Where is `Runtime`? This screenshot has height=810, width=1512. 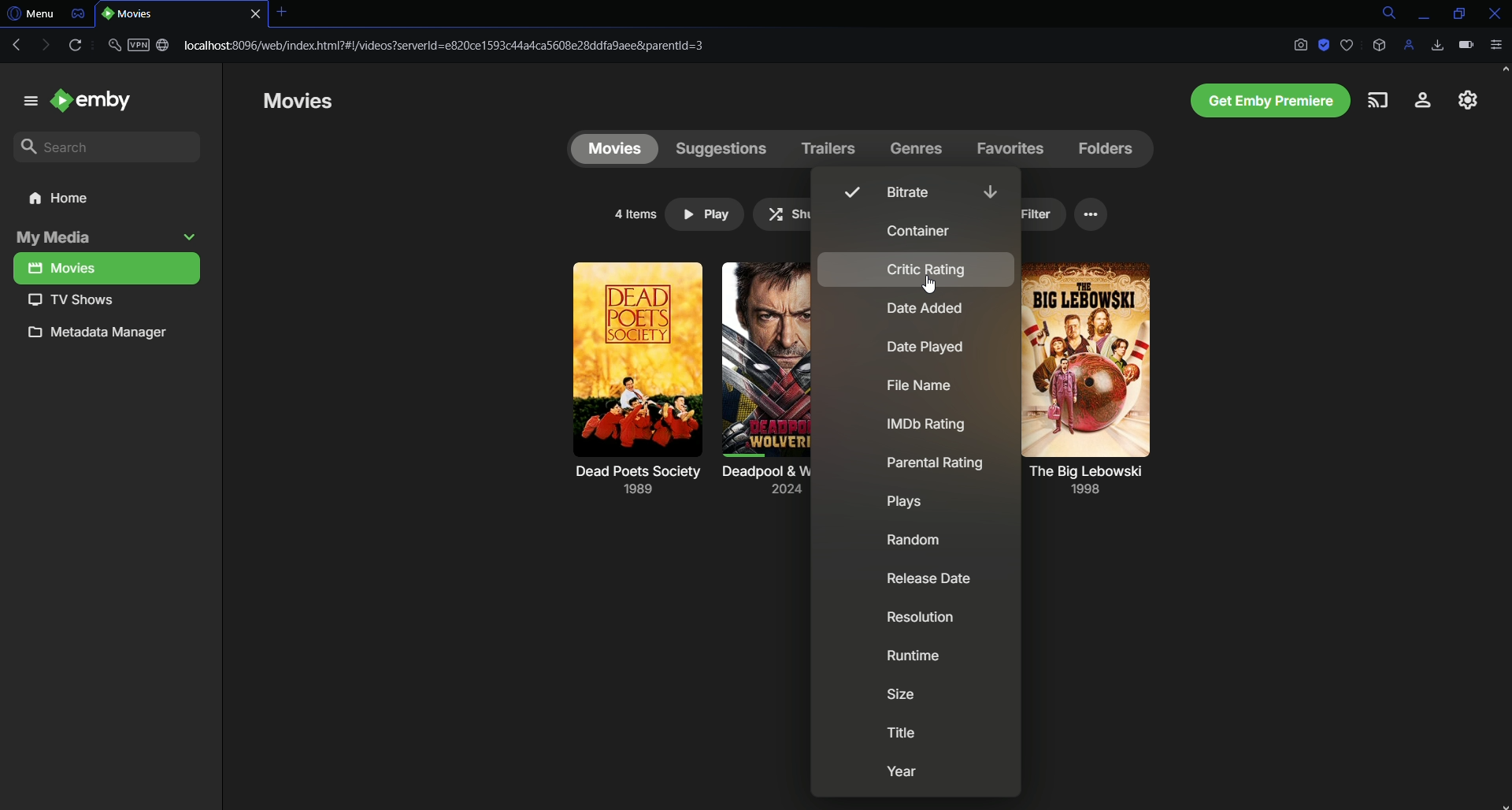
Runtime is located at coordinates (917, 657).